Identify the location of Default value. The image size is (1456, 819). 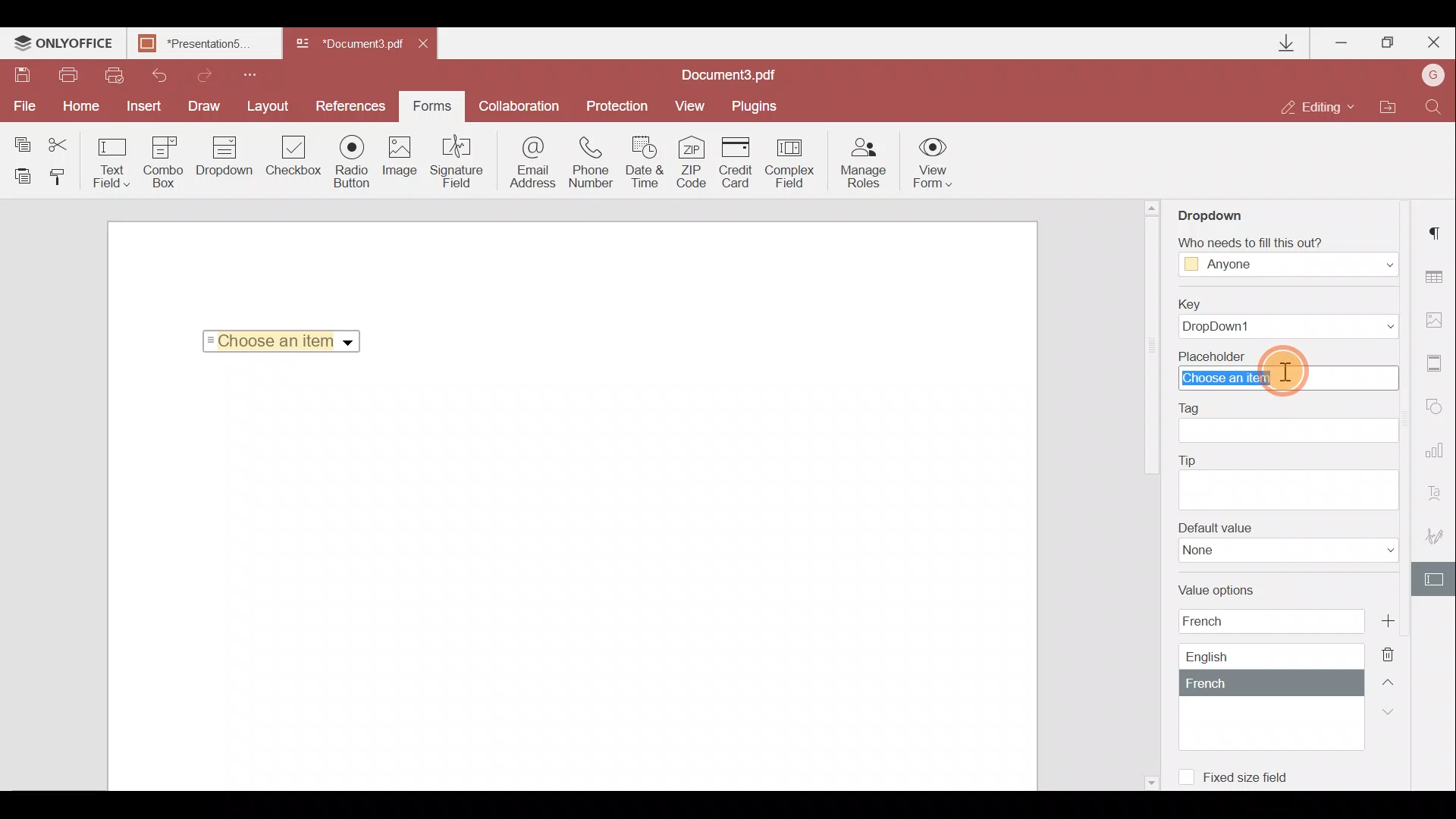
(1288, 542).